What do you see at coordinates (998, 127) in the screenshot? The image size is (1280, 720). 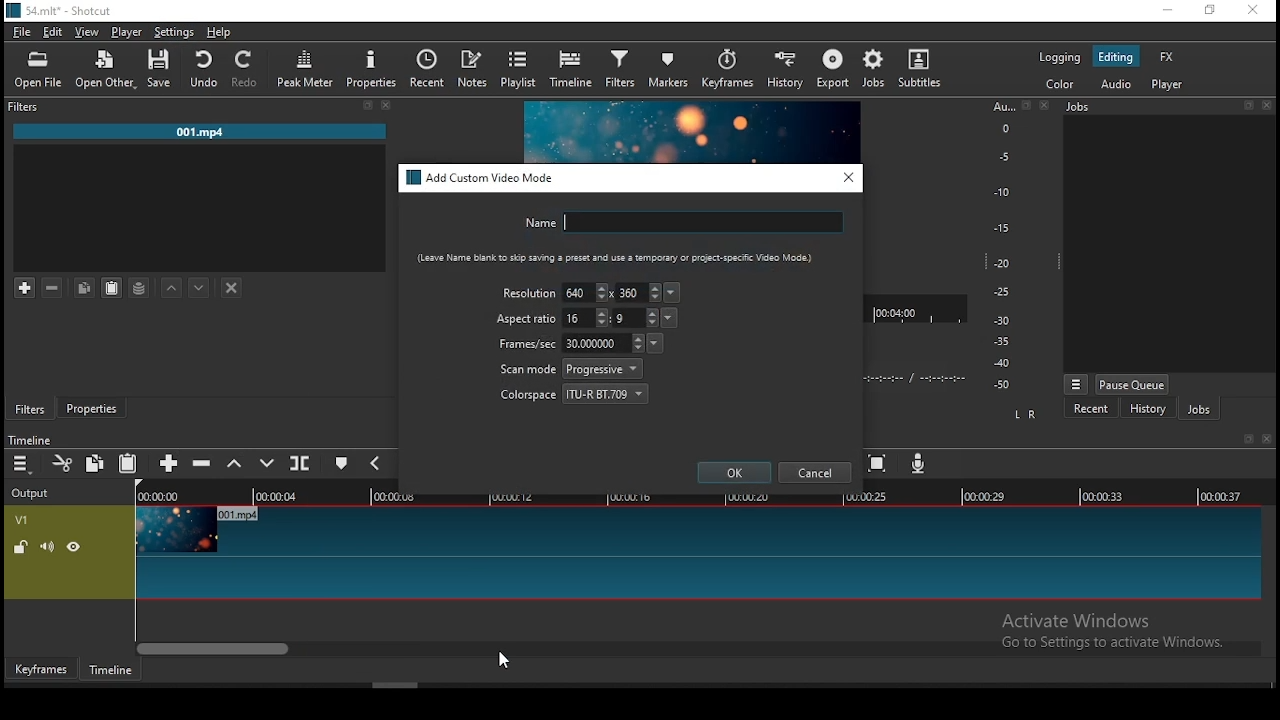 I see `o` at bounding box center [998, 127].